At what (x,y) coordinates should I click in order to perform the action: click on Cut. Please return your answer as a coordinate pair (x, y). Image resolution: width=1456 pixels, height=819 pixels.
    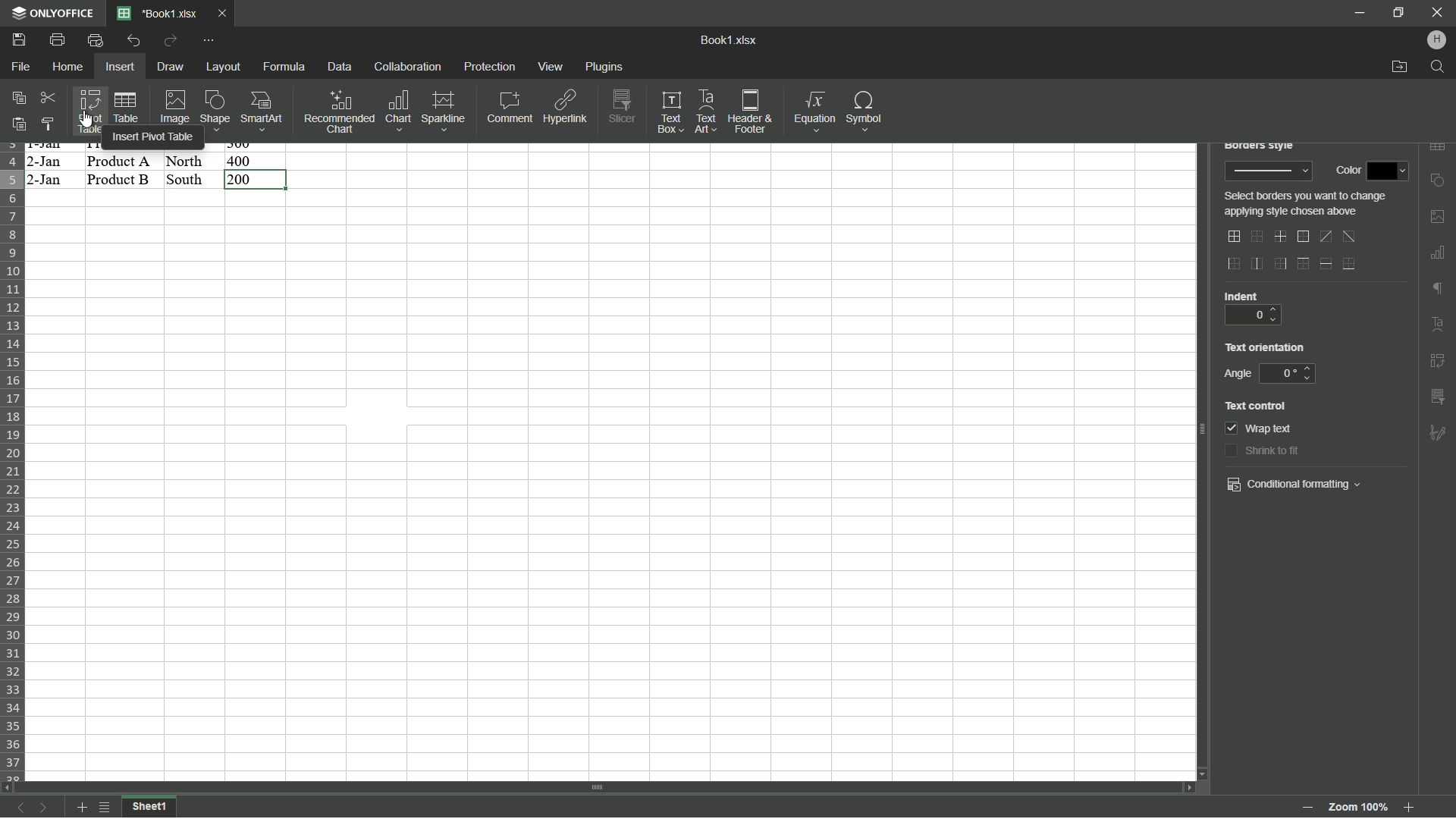
    Looking at the image, I should click on (49, 98).